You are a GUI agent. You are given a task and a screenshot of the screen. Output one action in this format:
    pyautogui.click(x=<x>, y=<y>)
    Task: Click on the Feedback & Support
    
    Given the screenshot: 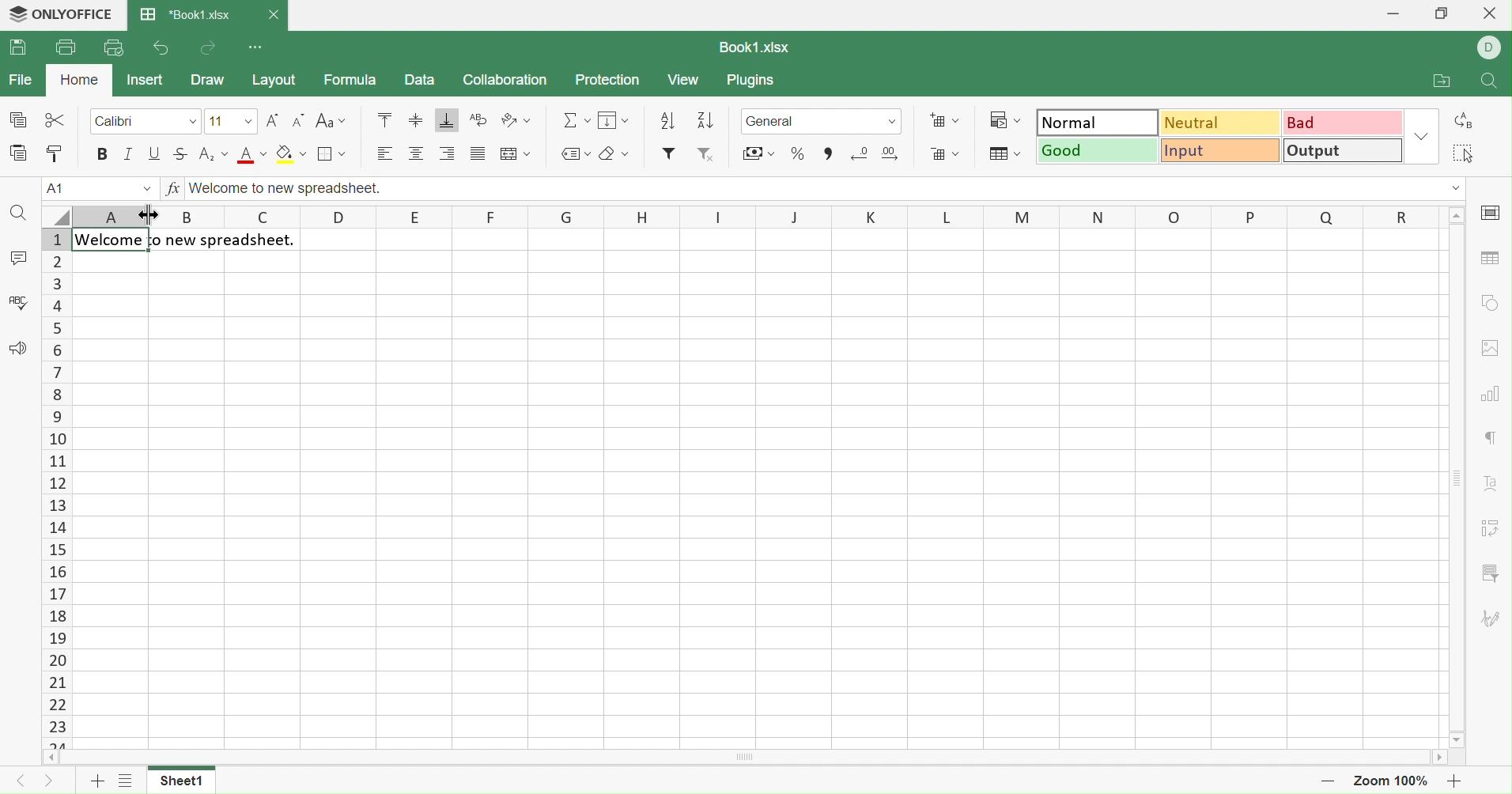 What is the action you would take?
    pyautogui.click(x=19, y=347)
    